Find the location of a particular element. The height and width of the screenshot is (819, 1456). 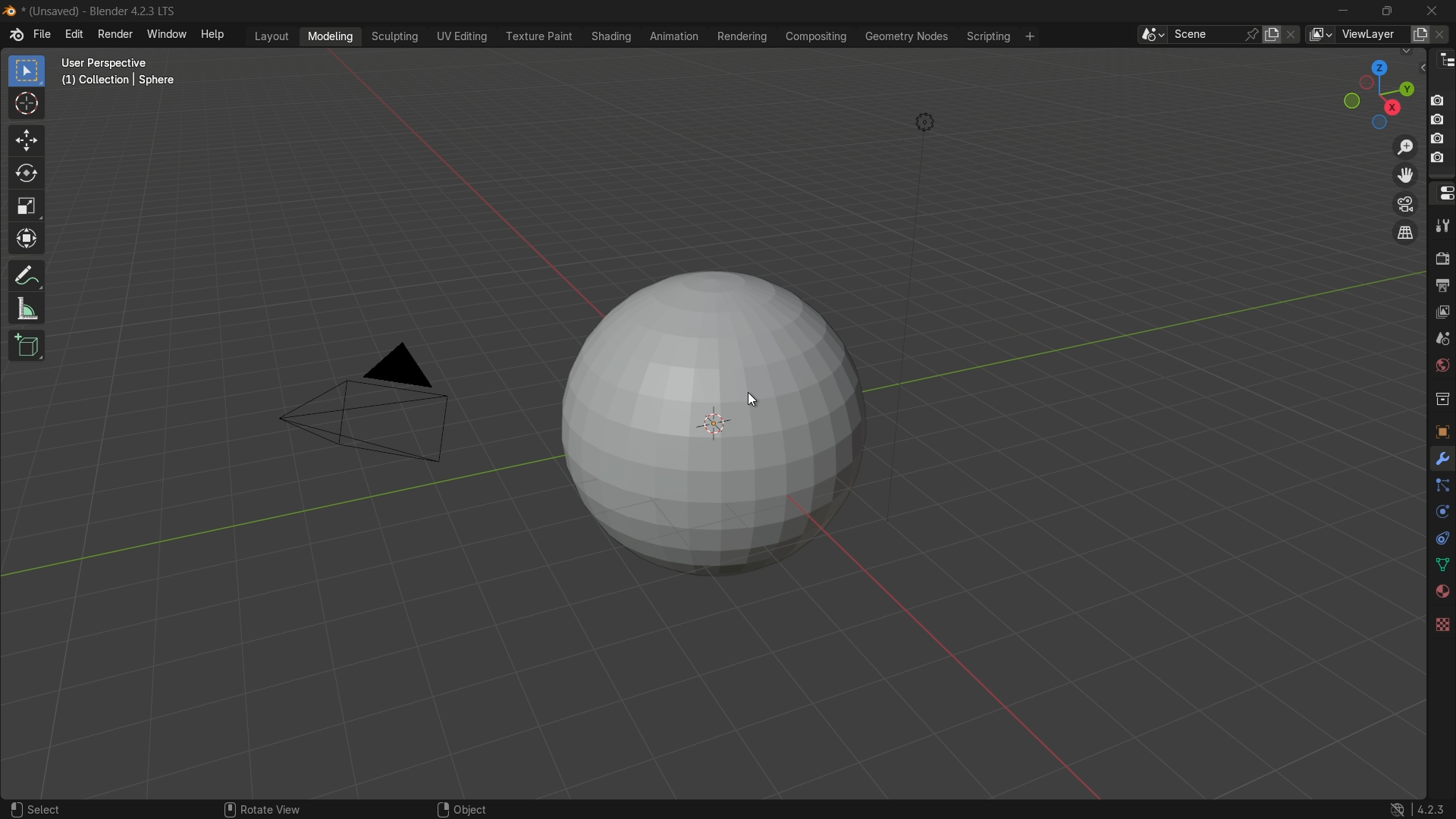

particles is located at coordinates (1442, 489).